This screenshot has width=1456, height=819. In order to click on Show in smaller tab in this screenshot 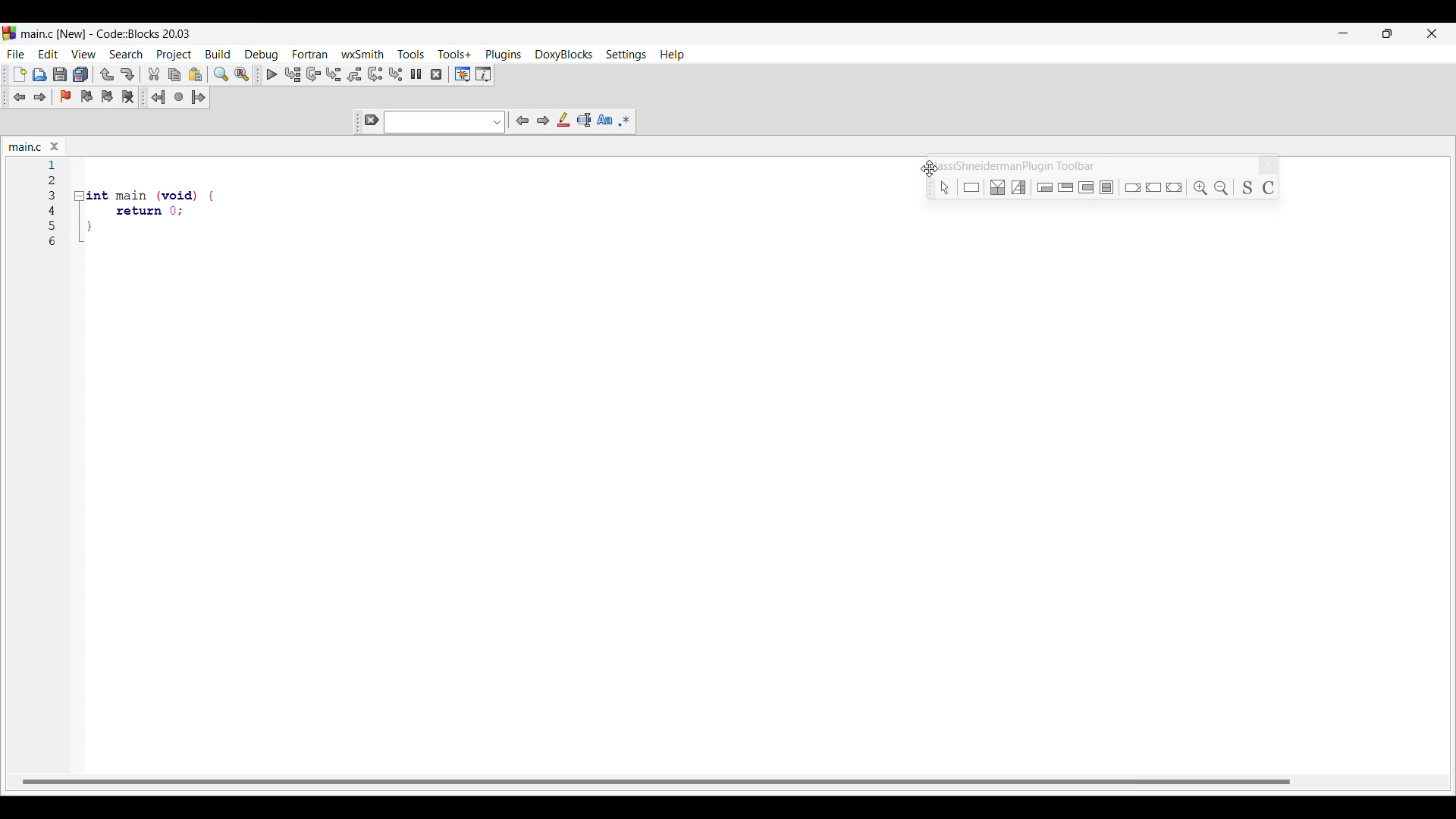, I will do `click(1387, 33)`.